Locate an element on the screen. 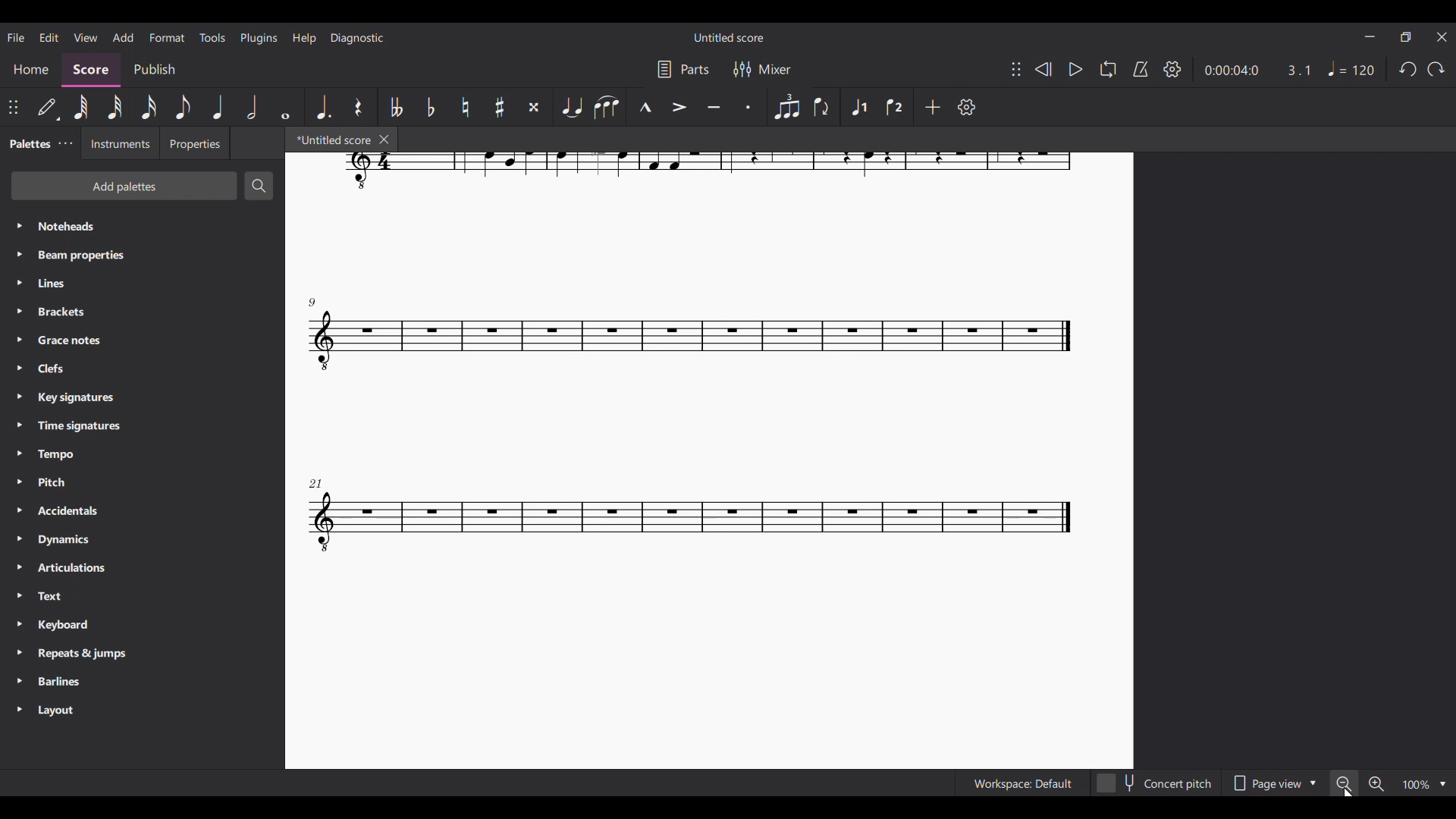  Publish section is located at coordinates (155, 70).